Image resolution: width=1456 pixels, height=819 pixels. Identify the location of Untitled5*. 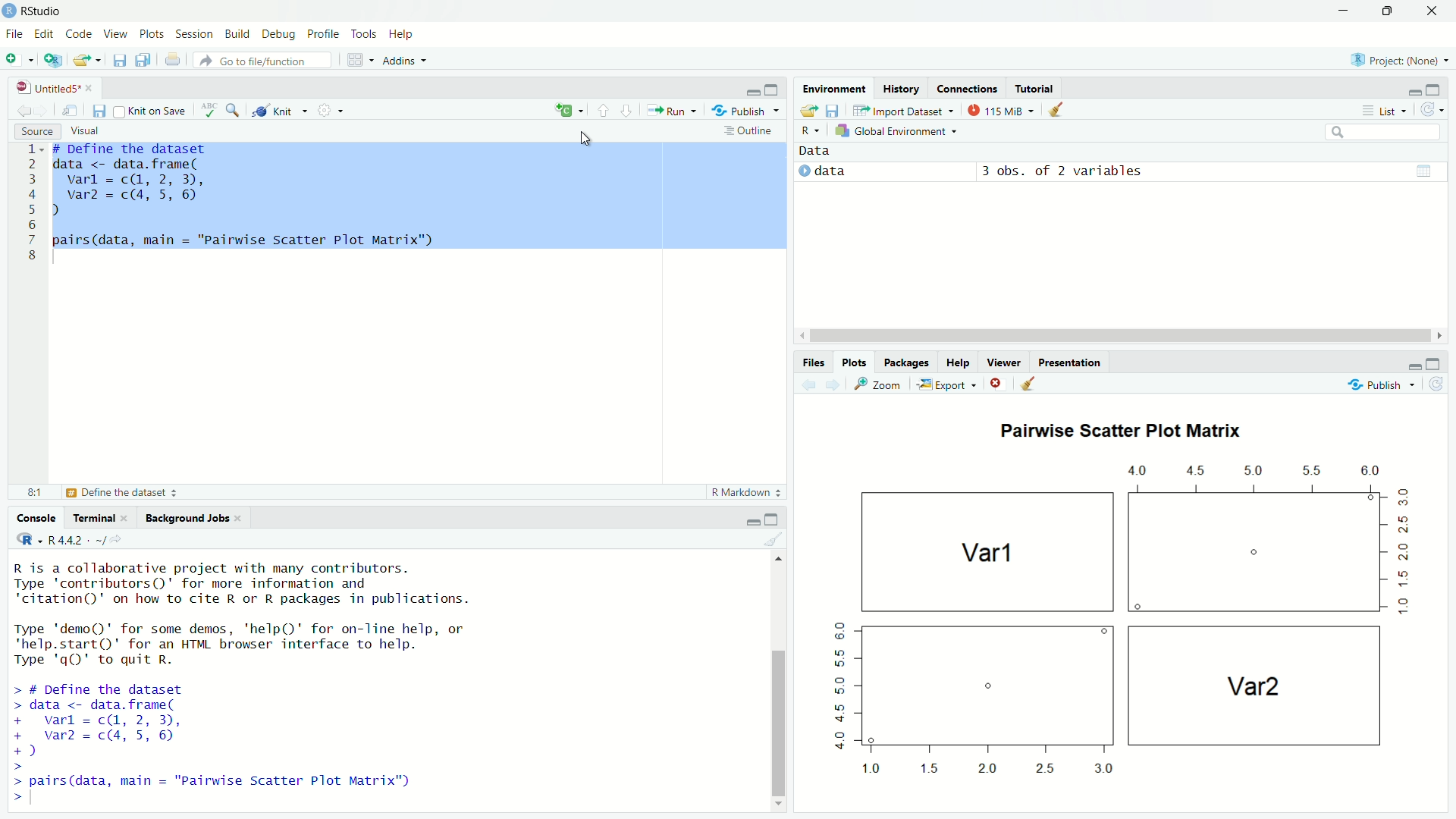
(56, 88).